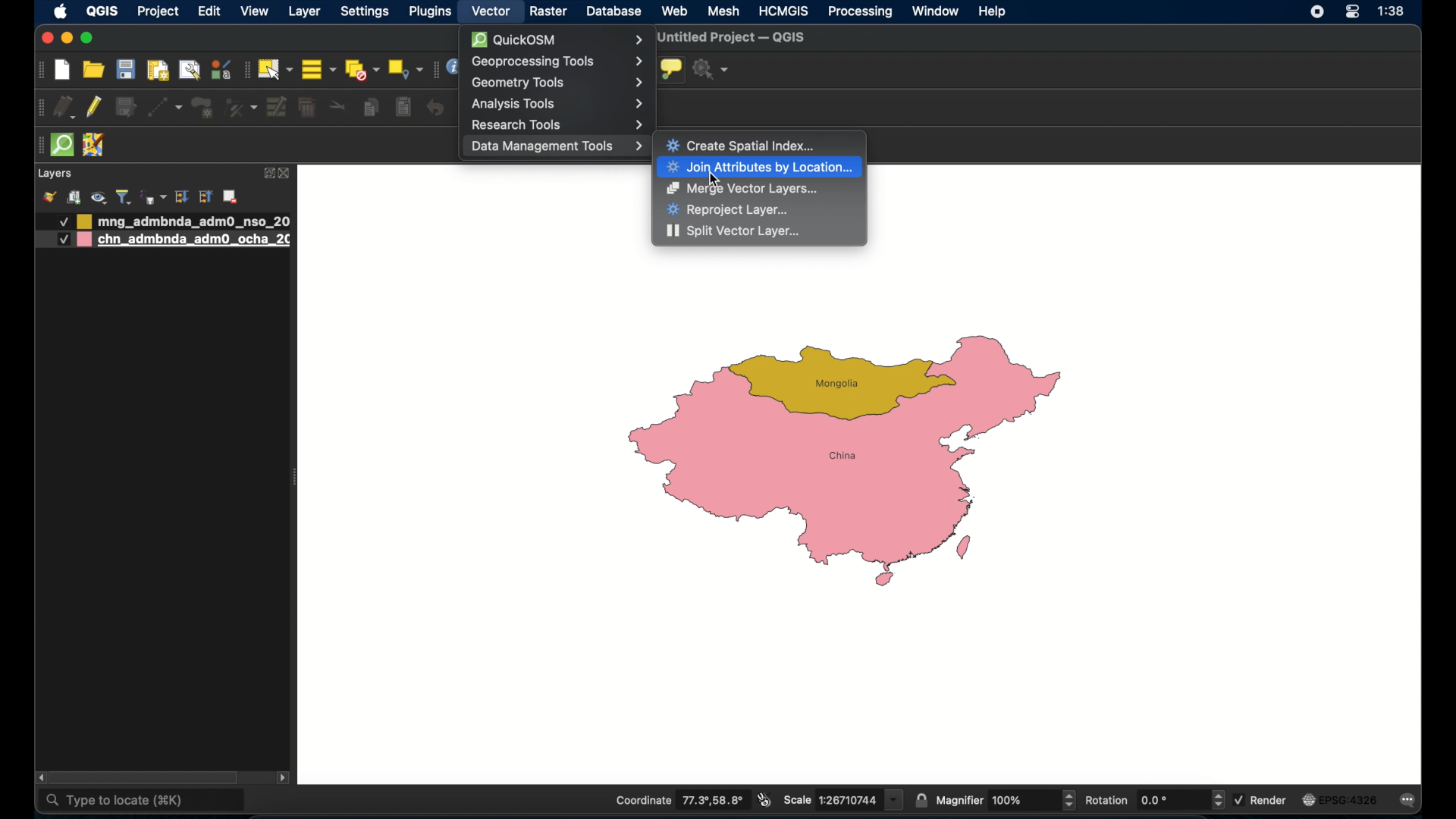 The width and height of the screenshot is (1456, 819). I want to click on show map tips, so click(671, 69).